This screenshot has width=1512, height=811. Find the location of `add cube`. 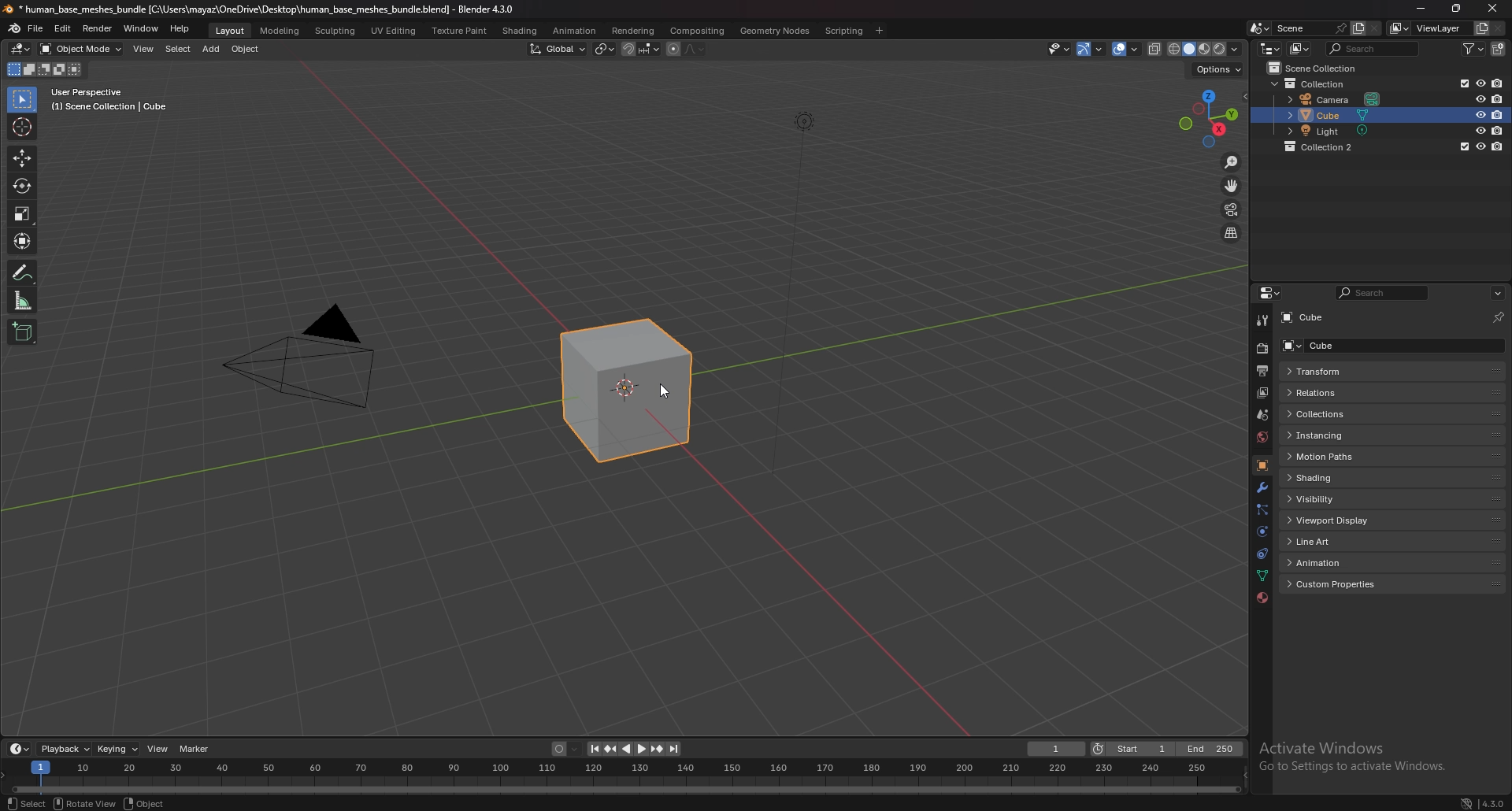

add cube is located at coordinates (23, 331).